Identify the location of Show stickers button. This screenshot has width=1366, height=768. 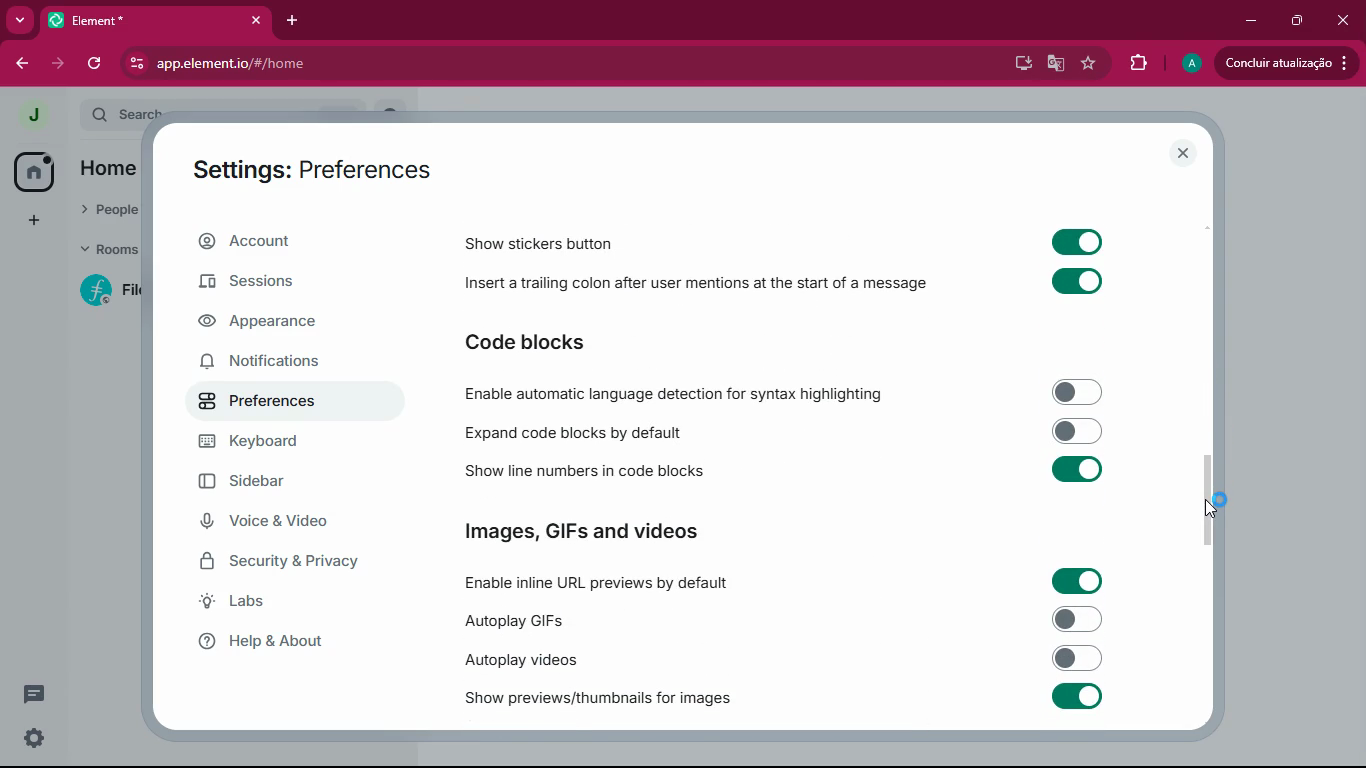
(533, 245).